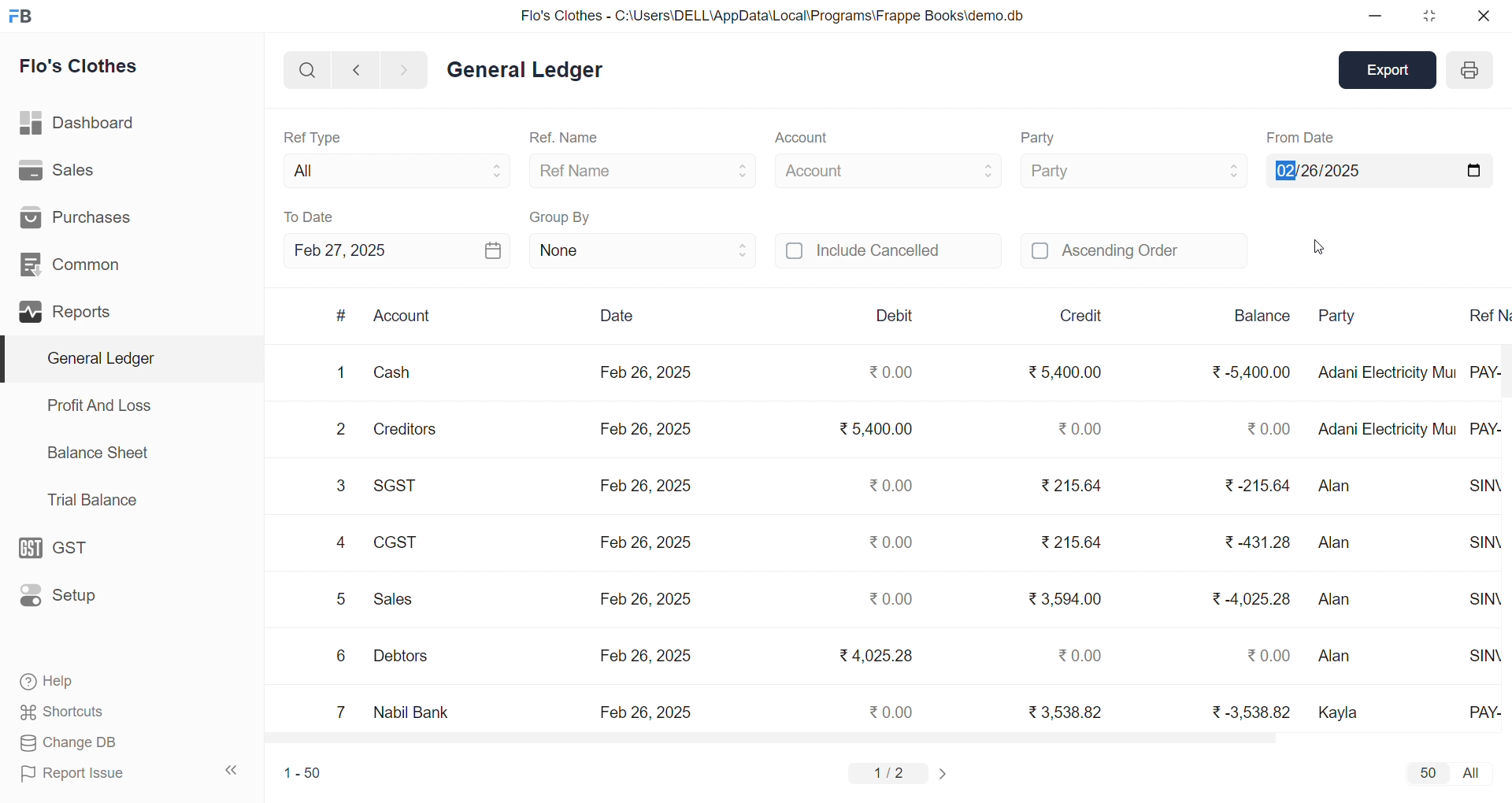 The image size is (1512, 803). I want to click on 5, so click(339, 599).